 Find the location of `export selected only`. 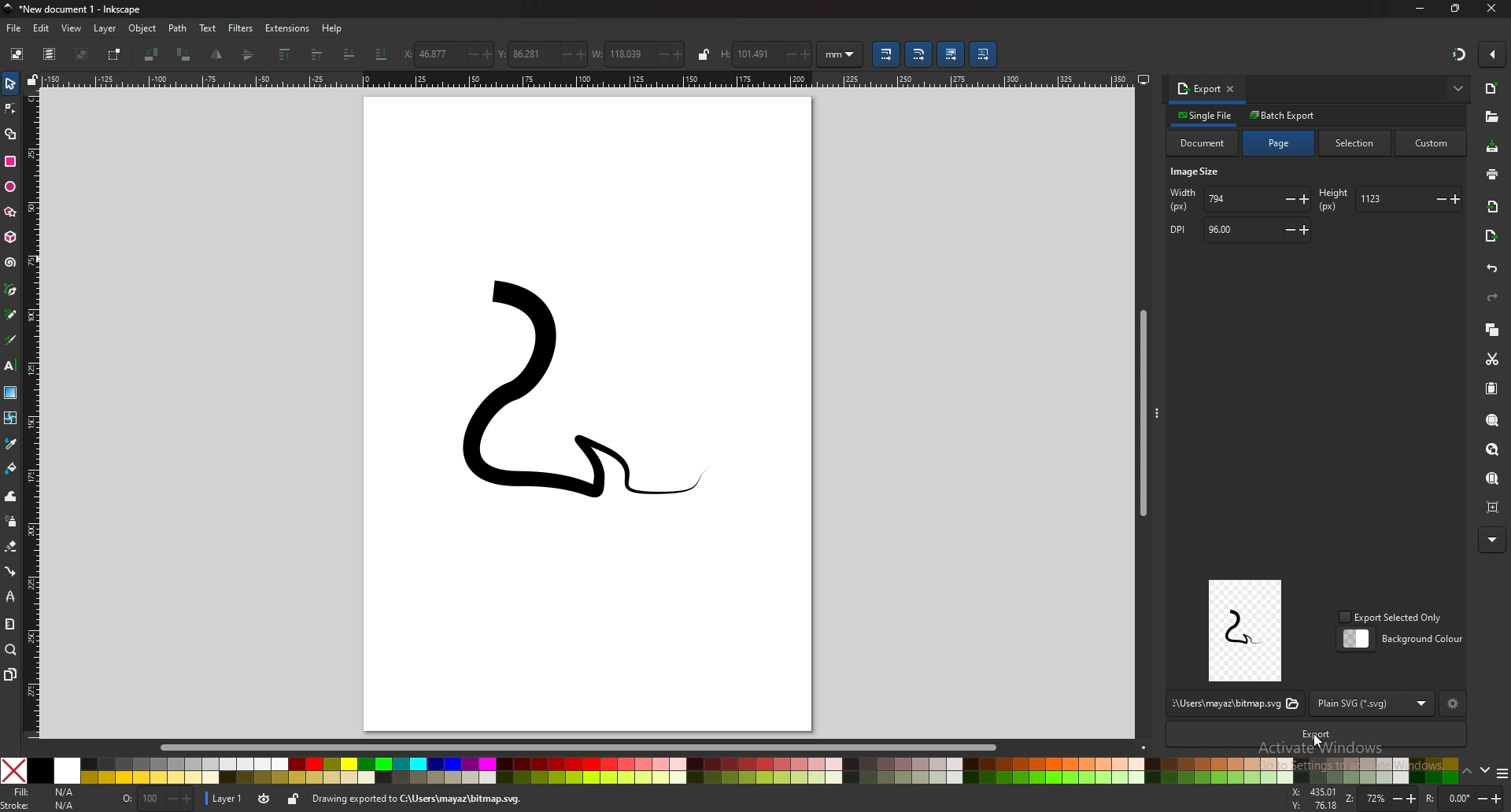

export selected only is located at coordinates (1393, 618).